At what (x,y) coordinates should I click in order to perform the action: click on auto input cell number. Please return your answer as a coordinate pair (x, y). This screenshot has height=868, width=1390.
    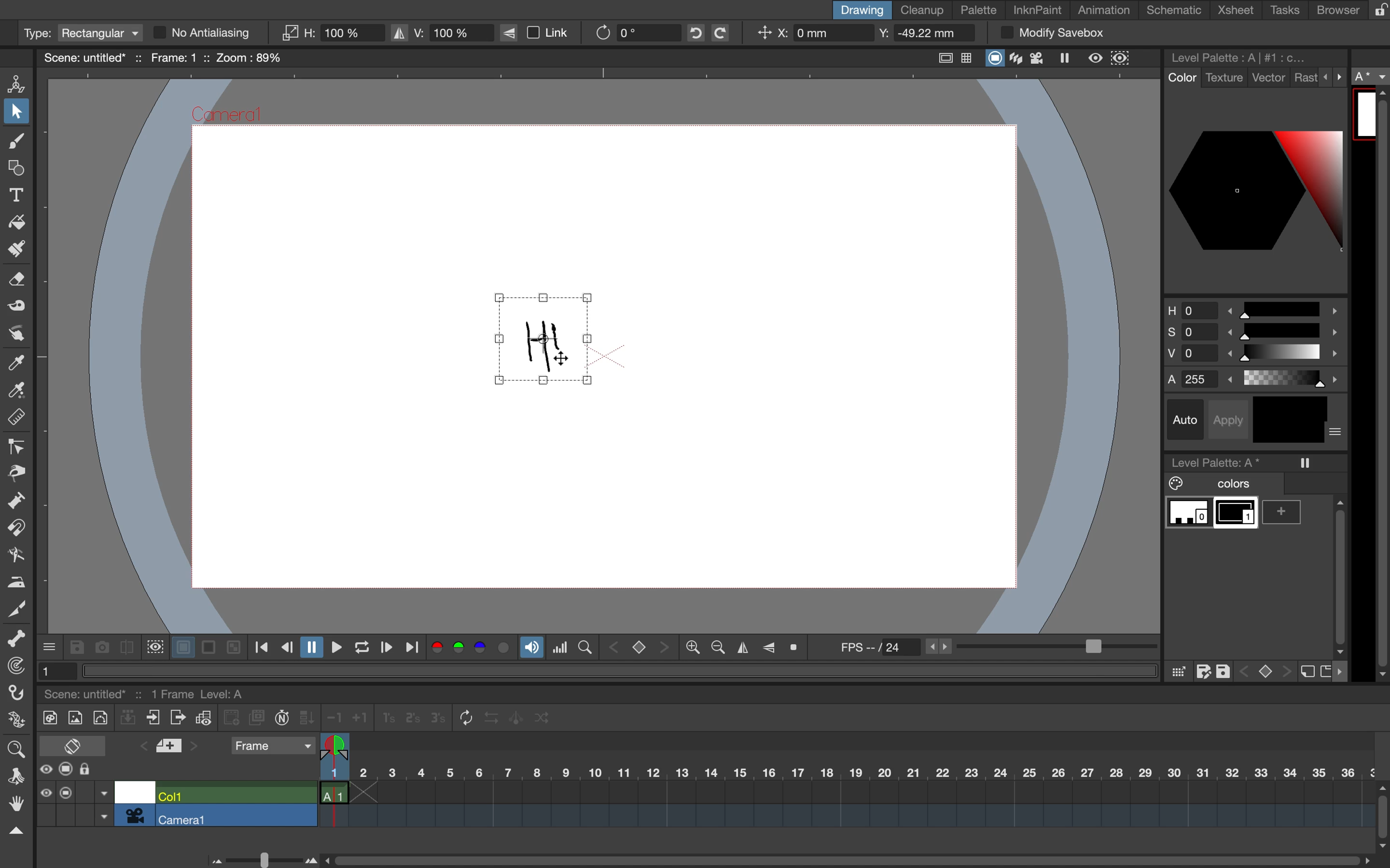
    Looking at the image, I should click on (282, 720).